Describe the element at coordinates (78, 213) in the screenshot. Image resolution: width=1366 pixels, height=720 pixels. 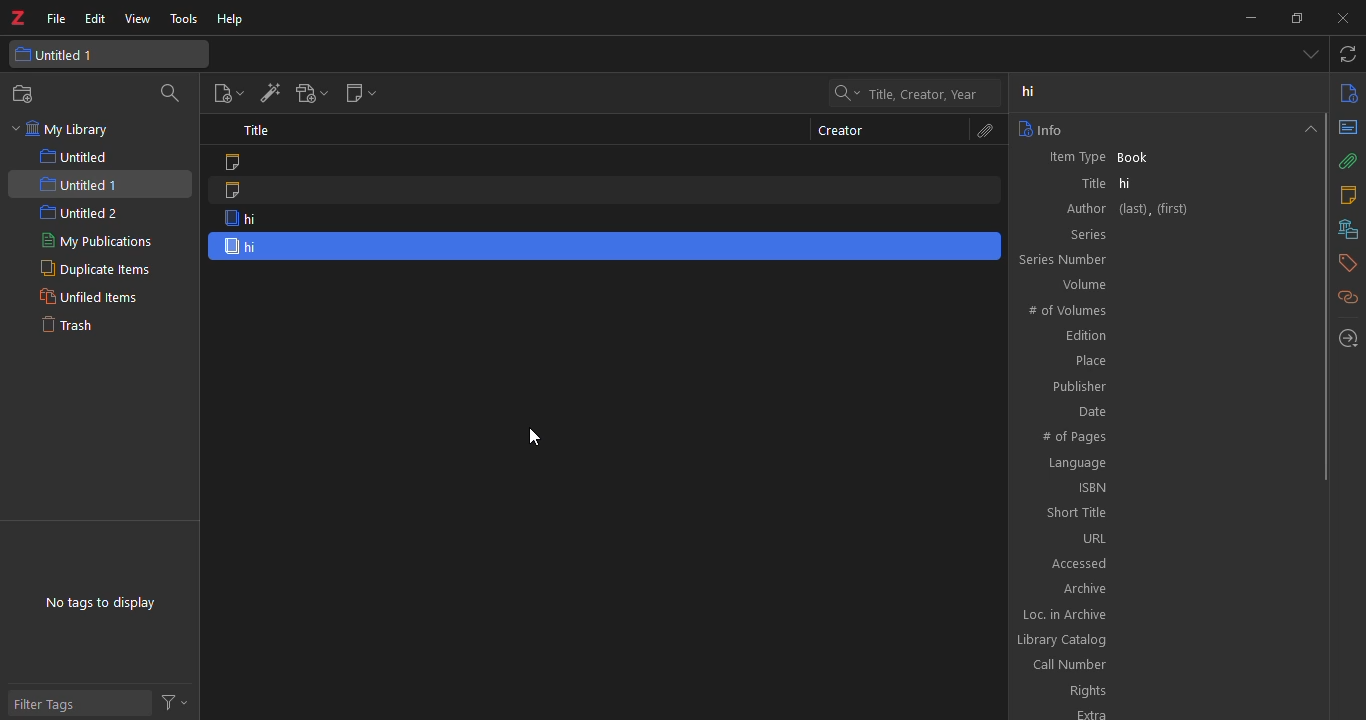
I see `untitled 2` at that location.